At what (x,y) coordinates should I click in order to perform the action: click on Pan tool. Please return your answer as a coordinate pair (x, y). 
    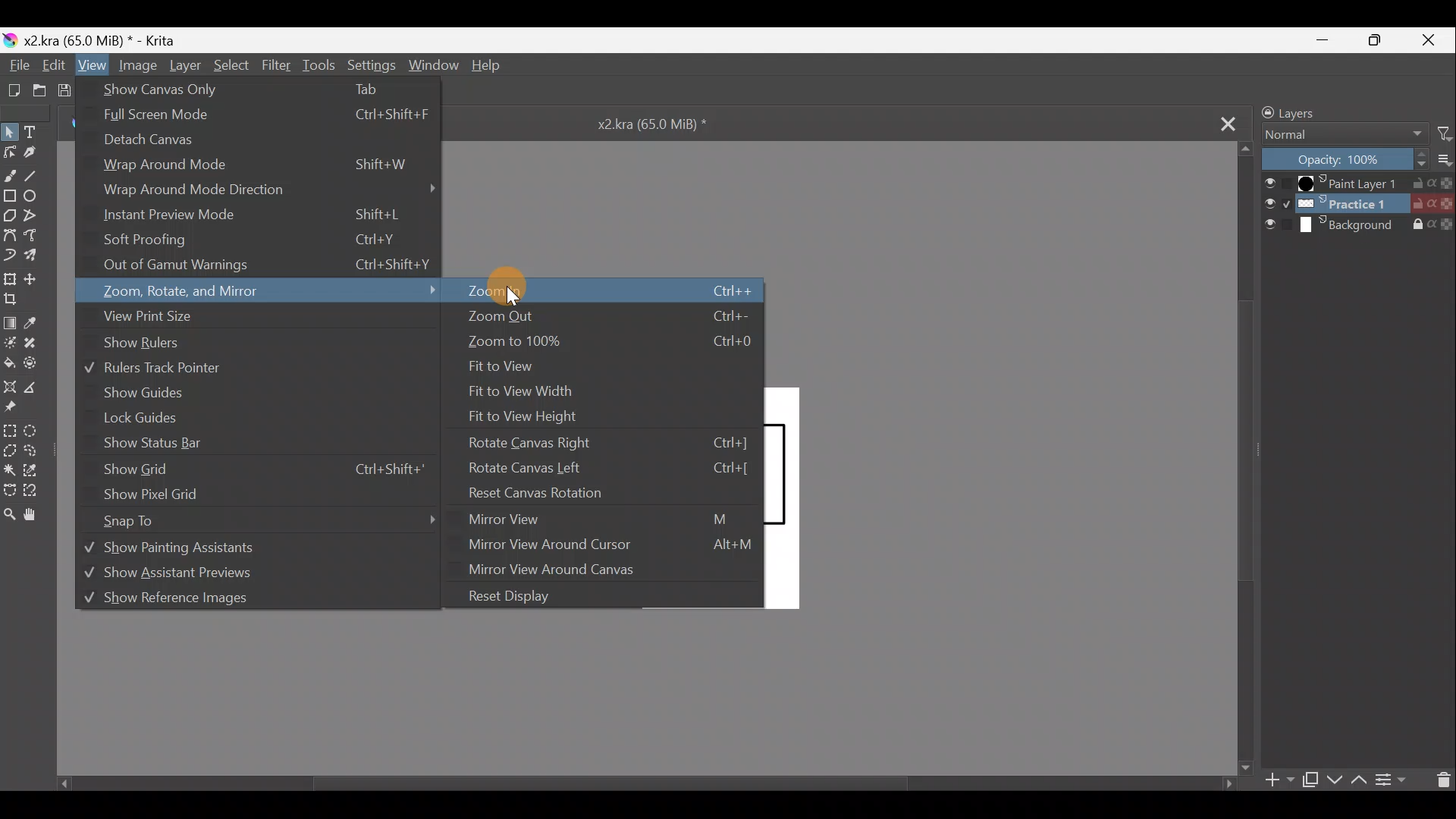
    Looking at the image, I should click on (42, 516).